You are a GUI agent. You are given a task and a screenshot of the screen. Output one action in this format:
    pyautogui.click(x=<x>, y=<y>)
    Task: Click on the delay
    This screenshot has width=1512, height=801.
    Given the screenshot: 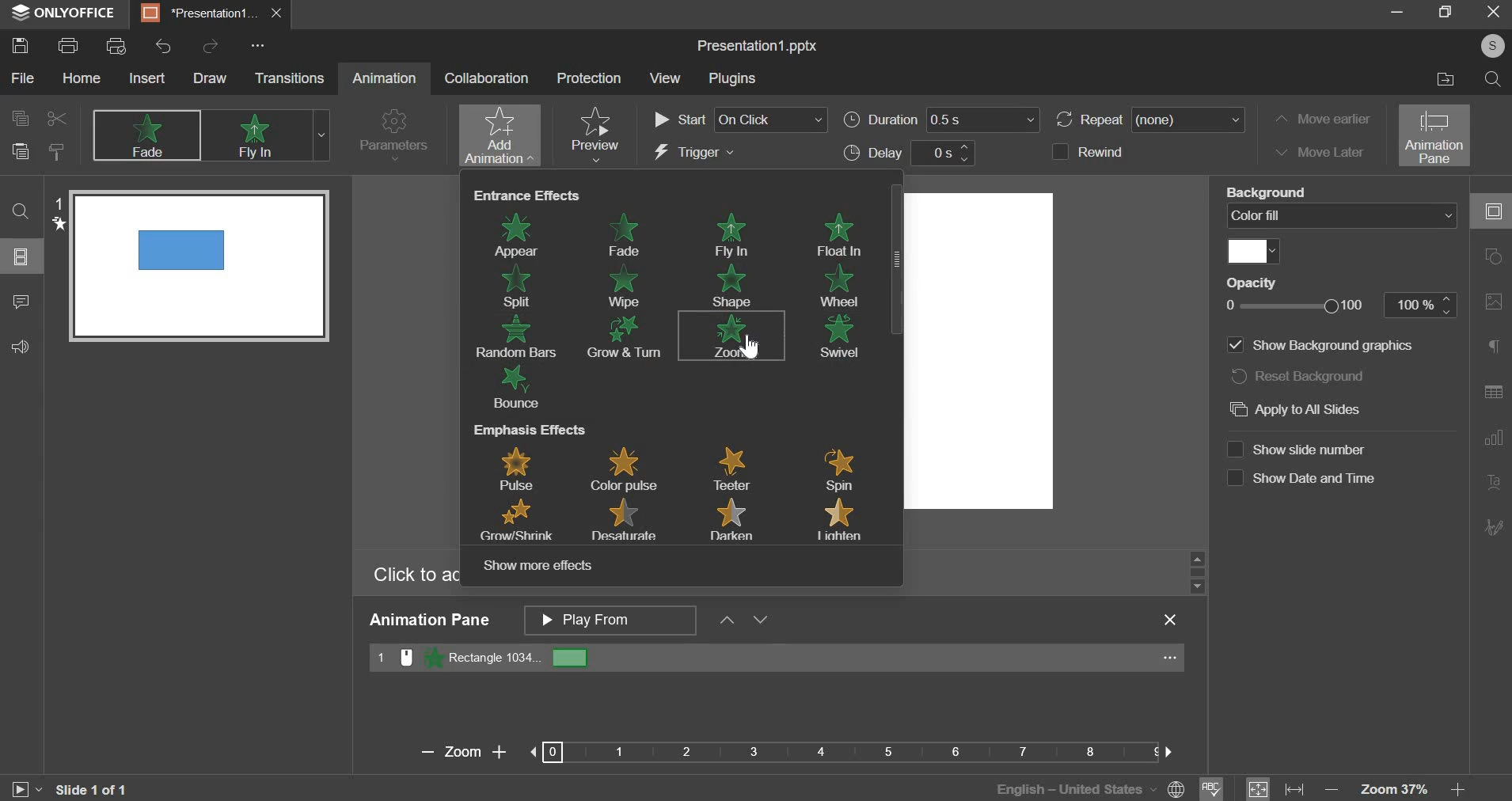 What is the action you would take?
    pyautogui.click(x=913, y=154)
    